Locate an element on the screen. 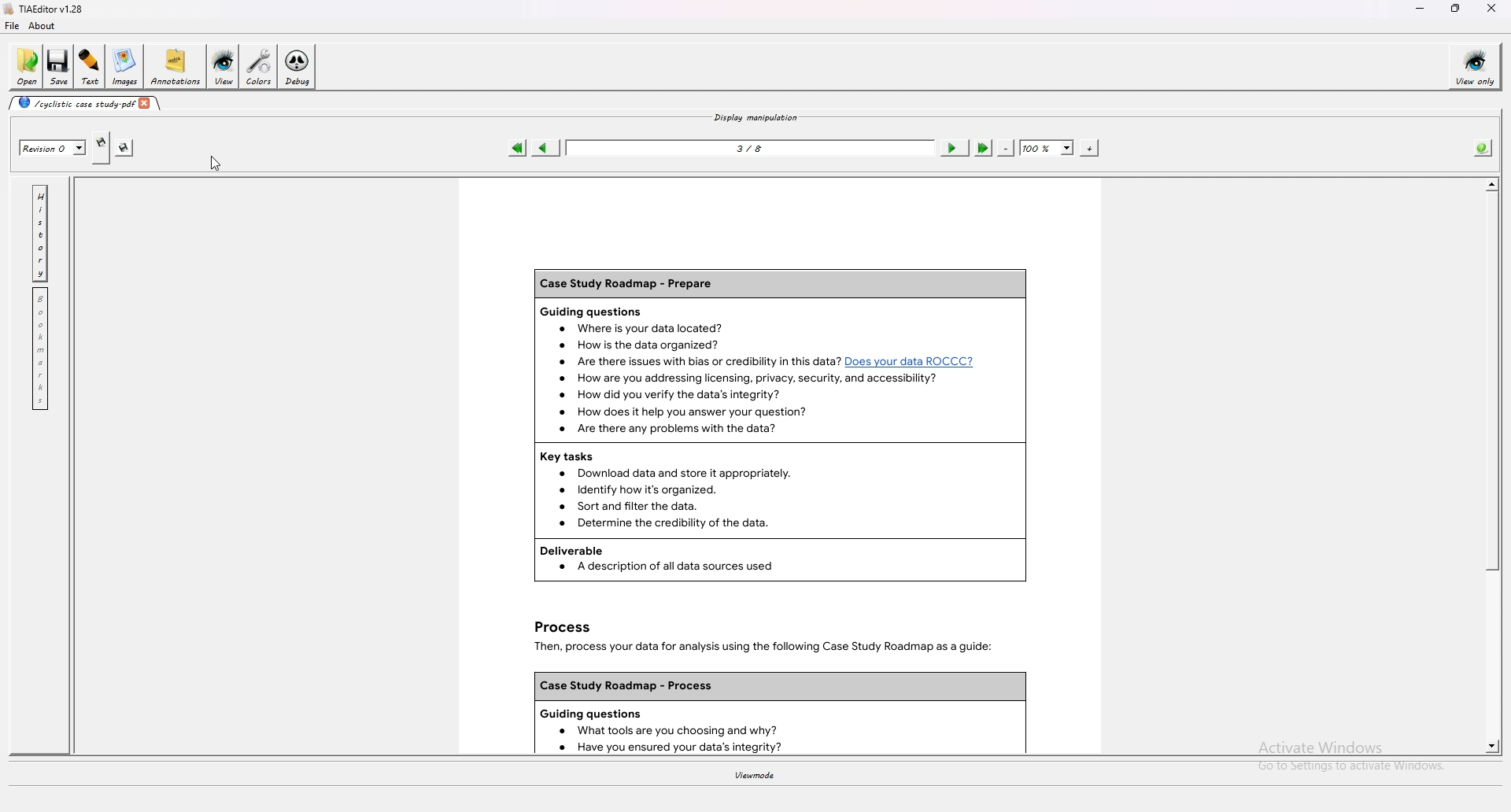 The image size is (1511, 812). Are there issues with bias or credibility in this data? is located at coordinates (696, 361).